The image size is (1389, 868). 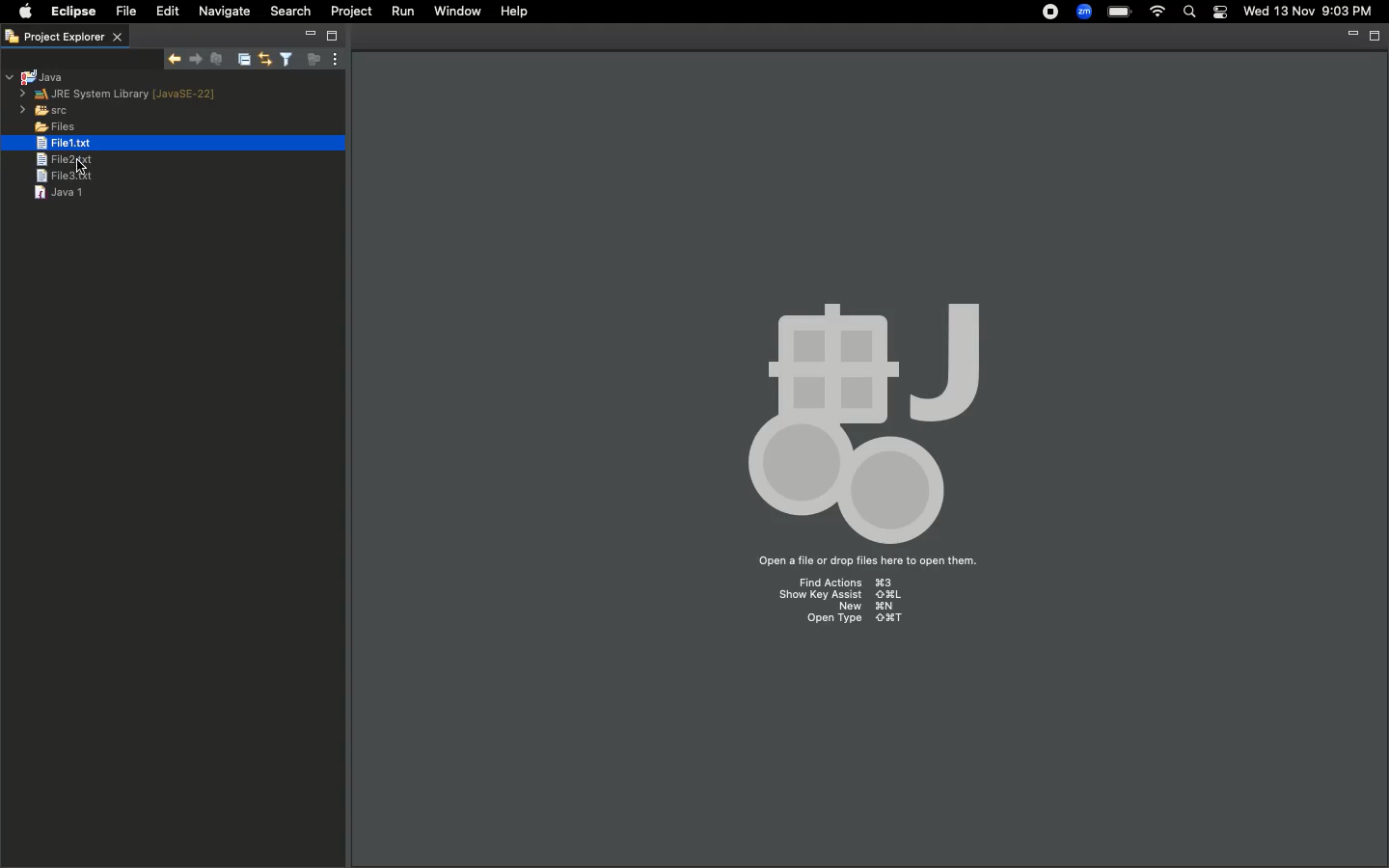 What do you see at coordinates (1222, 12) in the screenshot?
I see `Notification` at bounding box center [1222, 12].